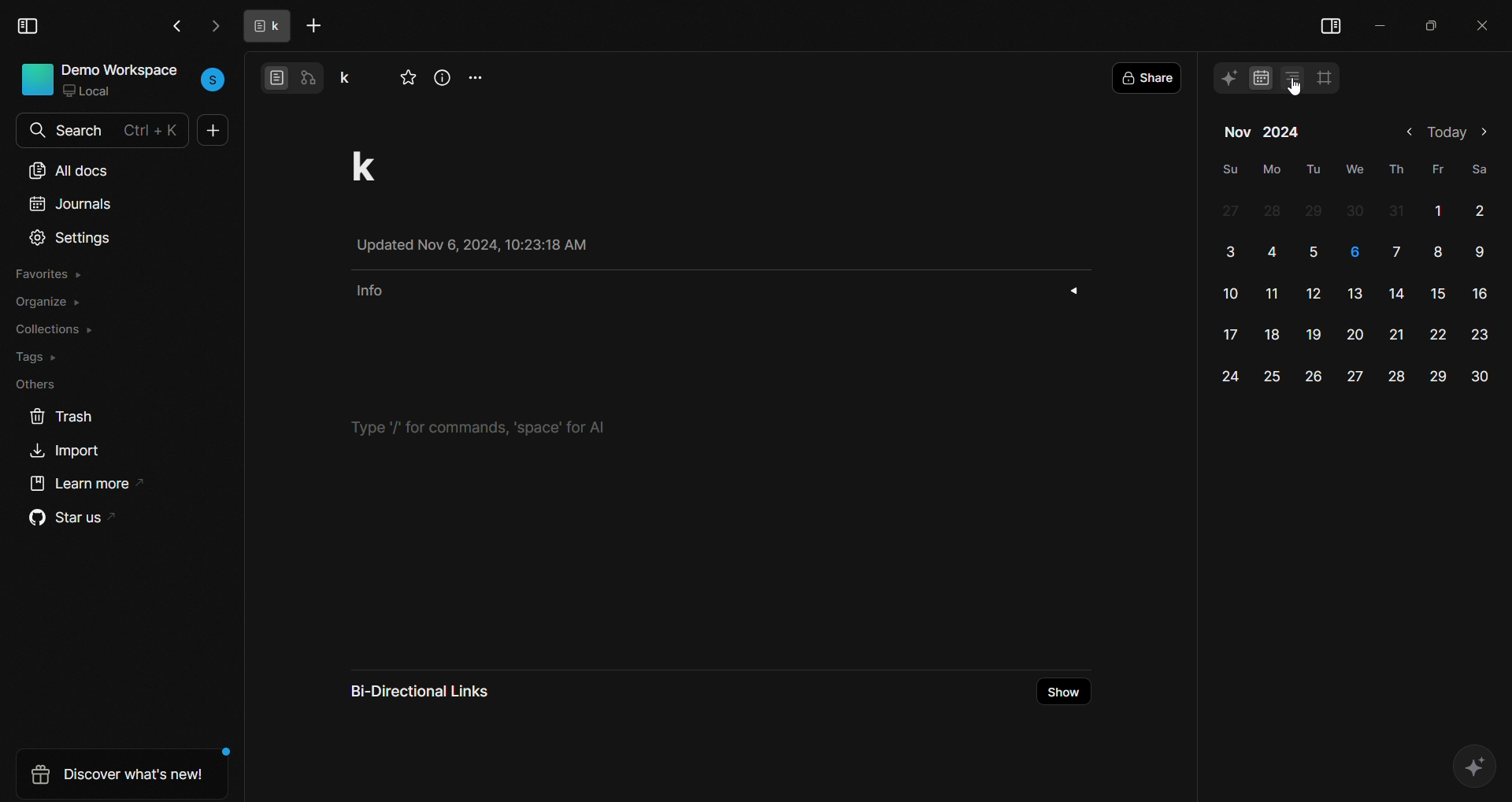  I want to click on type '/' for commands, 'space'' for ai, so click(487, 425).